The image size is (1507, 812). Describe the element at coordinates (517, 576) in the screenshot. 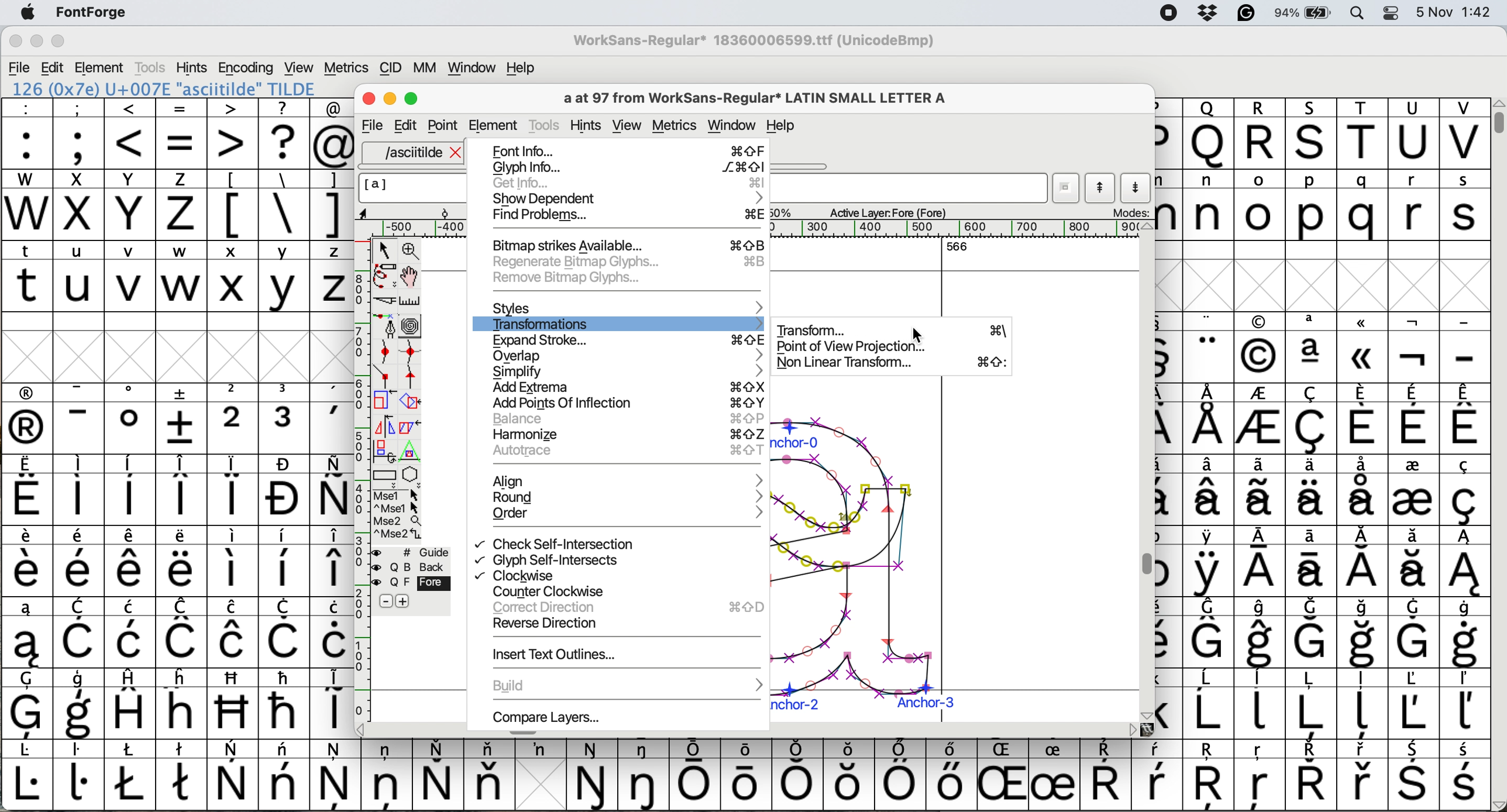

I see `clockwise` at that location.